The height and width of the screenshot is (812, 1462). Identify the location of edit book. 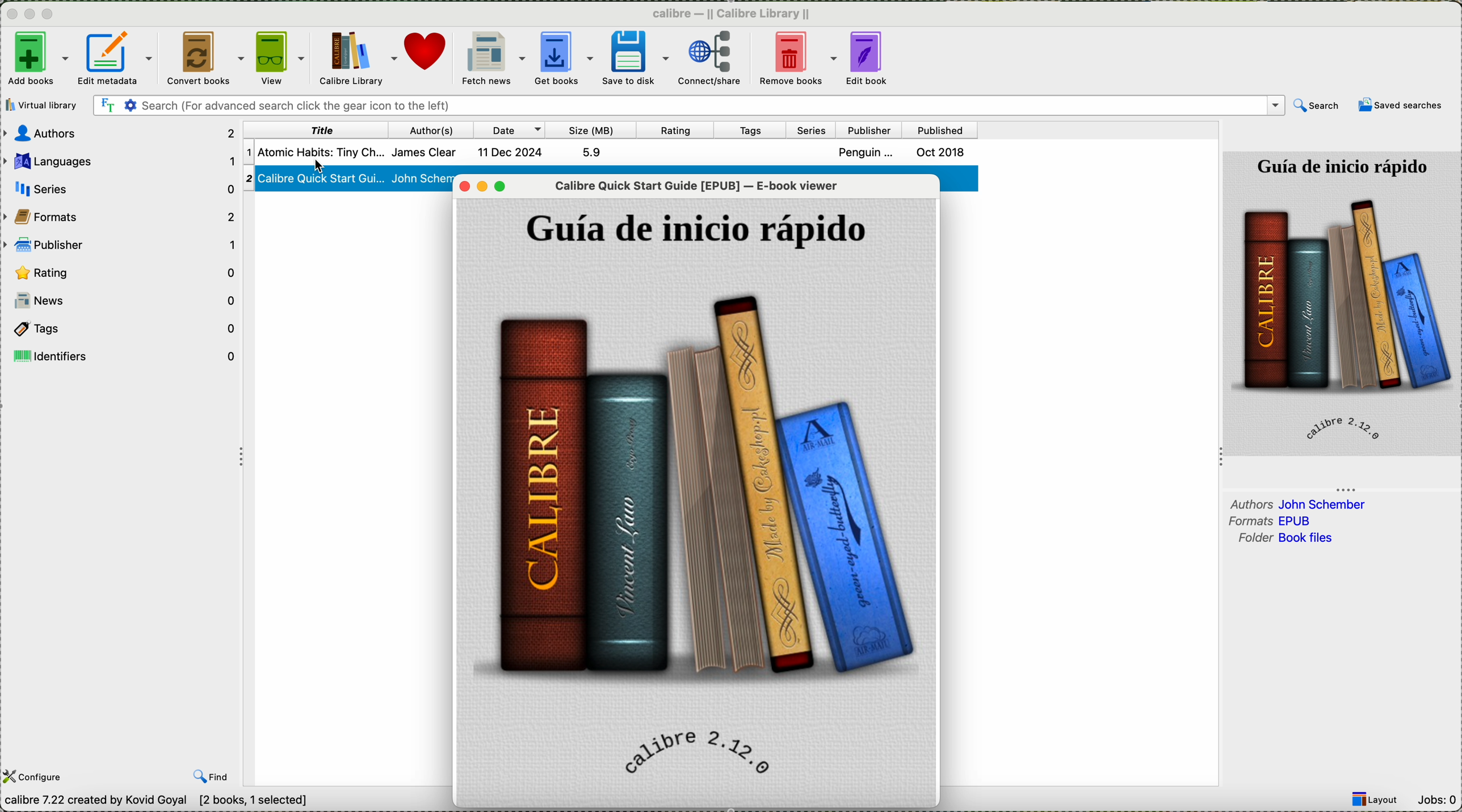
(869, 60).